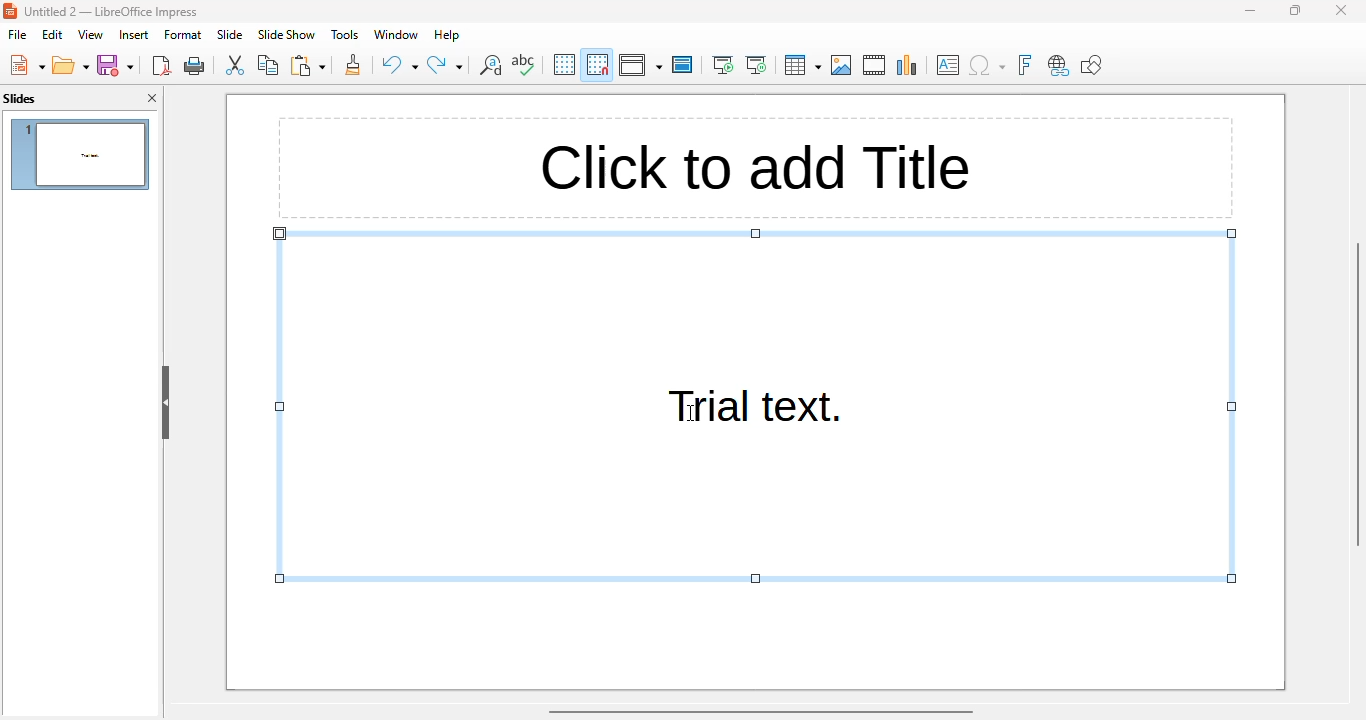 This screenshot has height=720, width=1366. I want to click on snap to grid, so click(598, 65).